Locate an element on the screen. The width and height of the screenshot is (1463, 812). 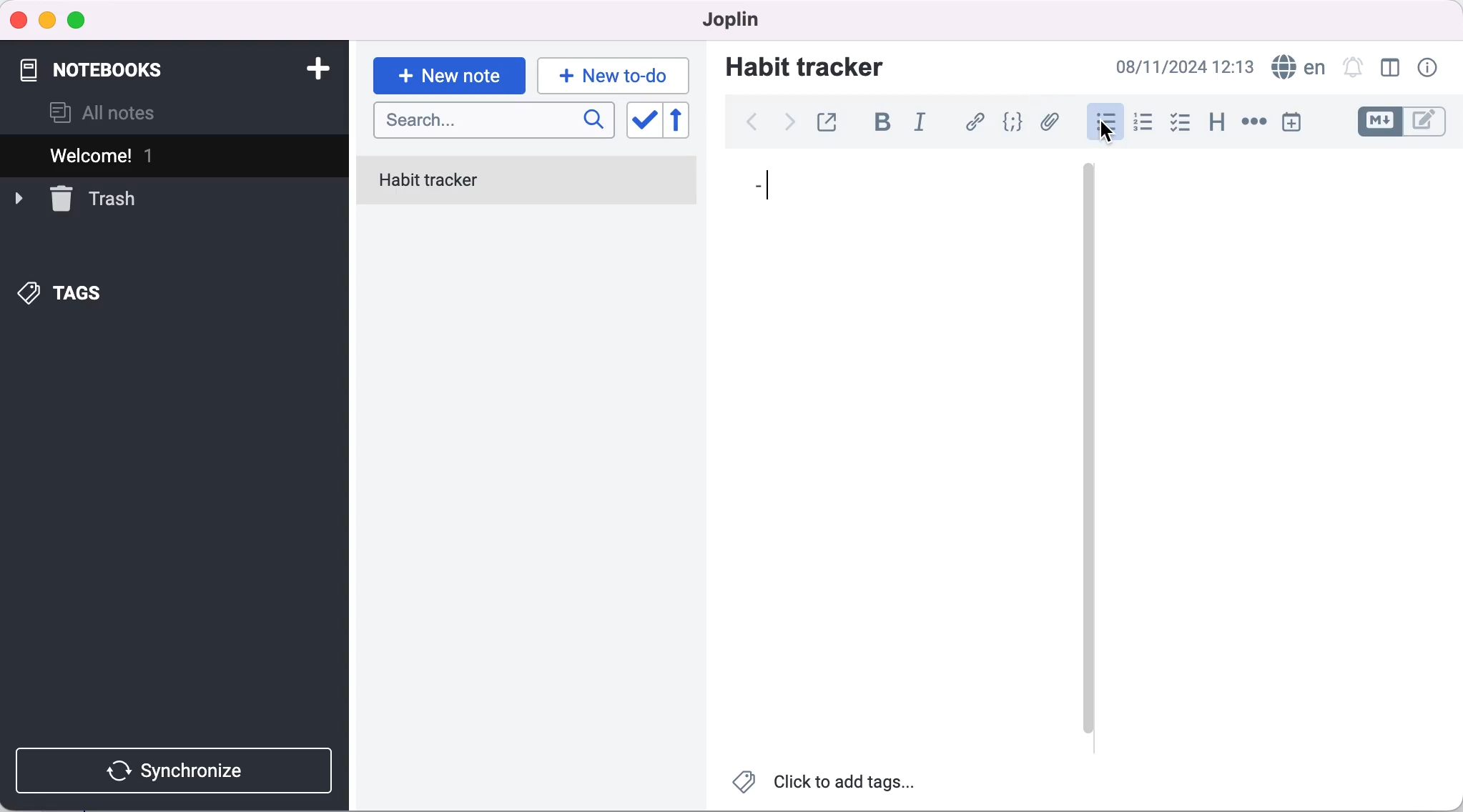
tags is located at coordinates (62, 294).